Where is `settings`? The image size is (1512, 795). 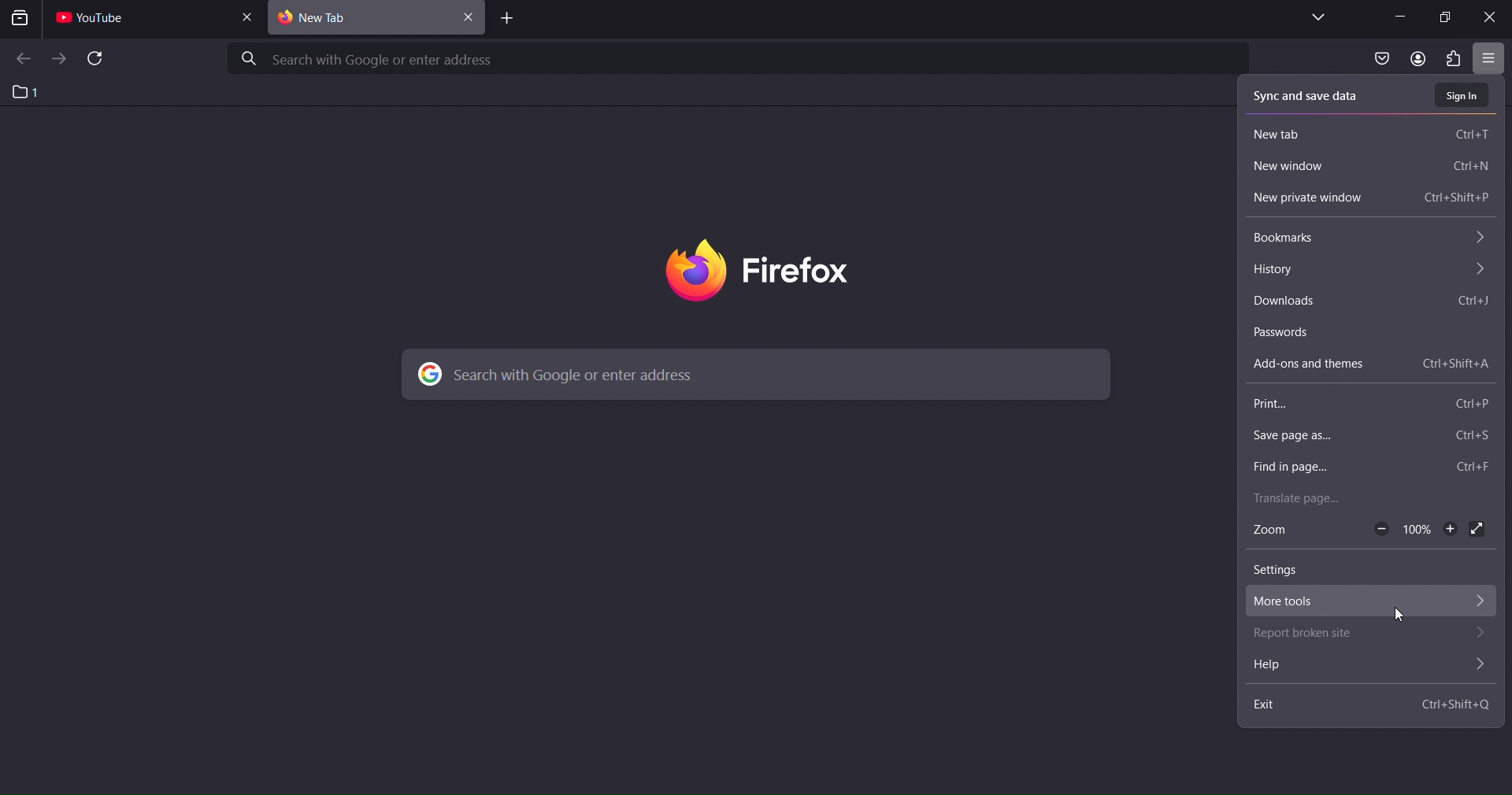 settings is located at coordinates (1282, 572).